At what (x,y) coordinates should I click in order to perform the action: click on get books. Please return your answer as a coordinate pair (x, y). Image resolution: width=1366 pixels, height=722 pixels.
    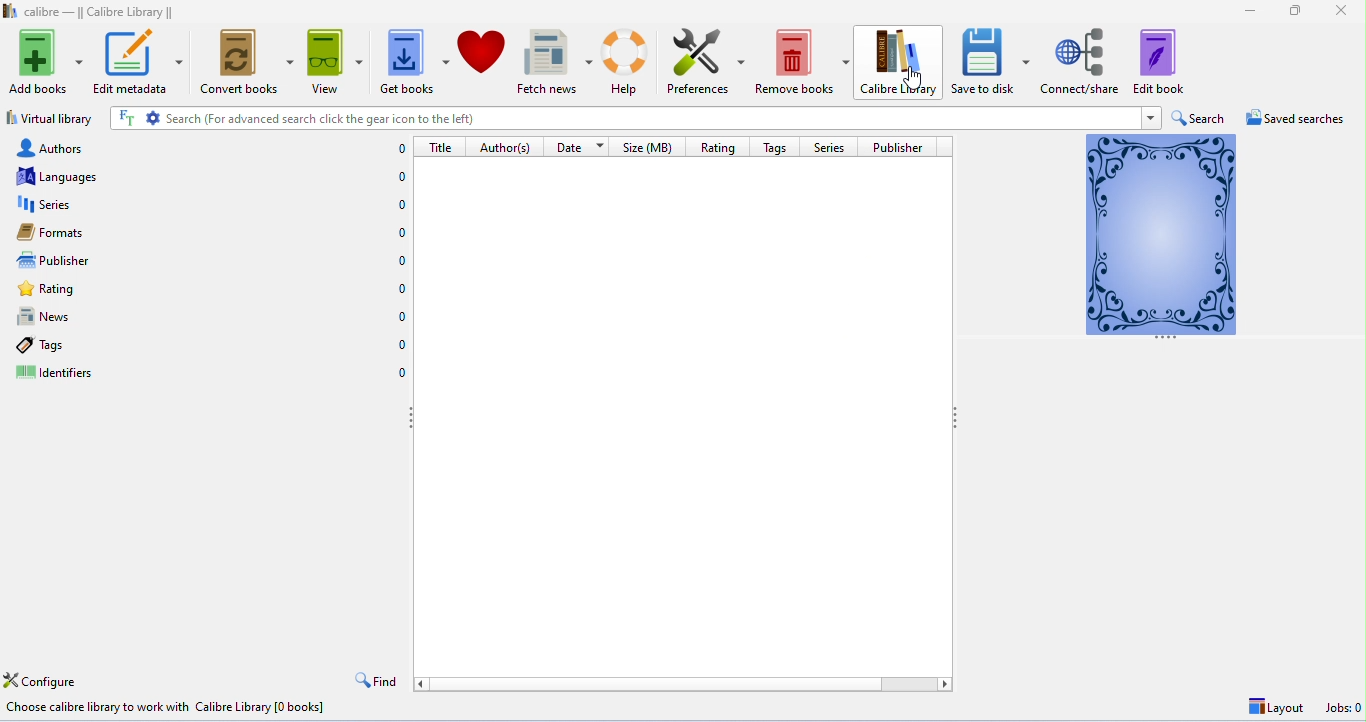
    Looking at the image, I should click on (415, 61).